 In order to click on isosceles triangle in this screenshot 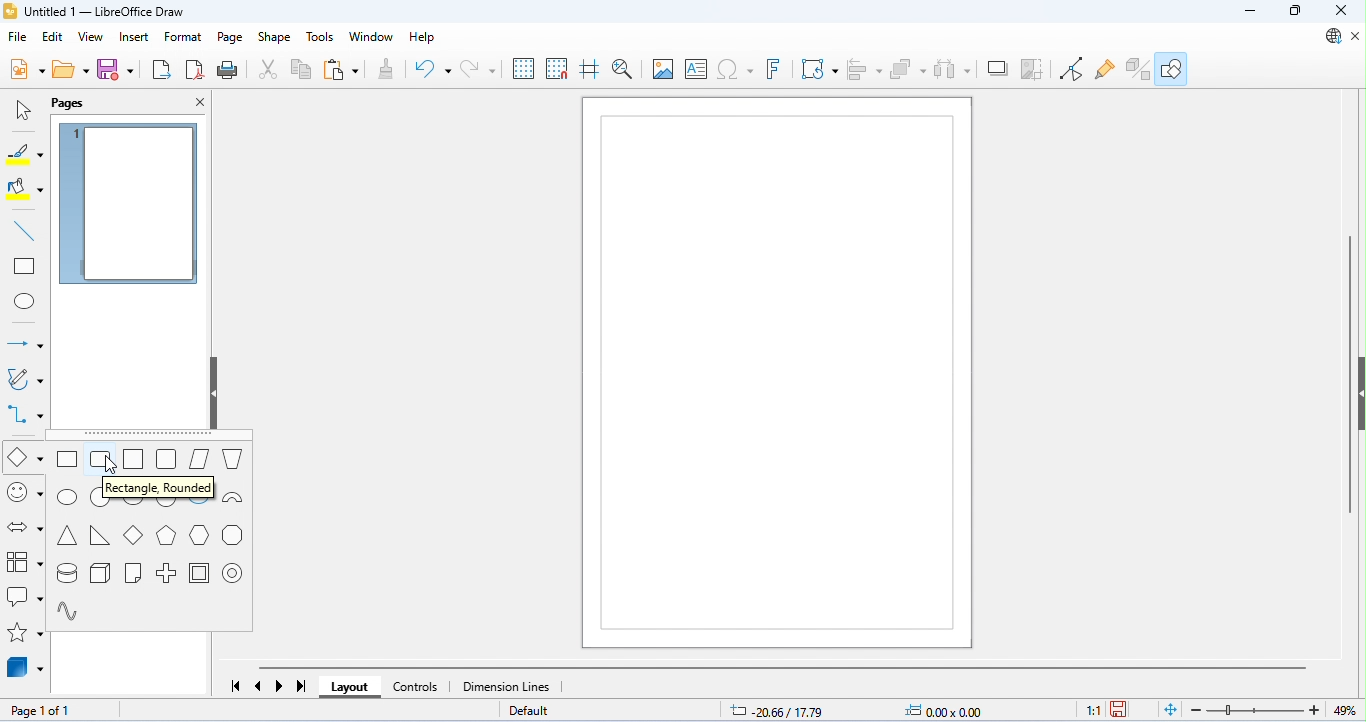, I will do `click(67, 535)`.